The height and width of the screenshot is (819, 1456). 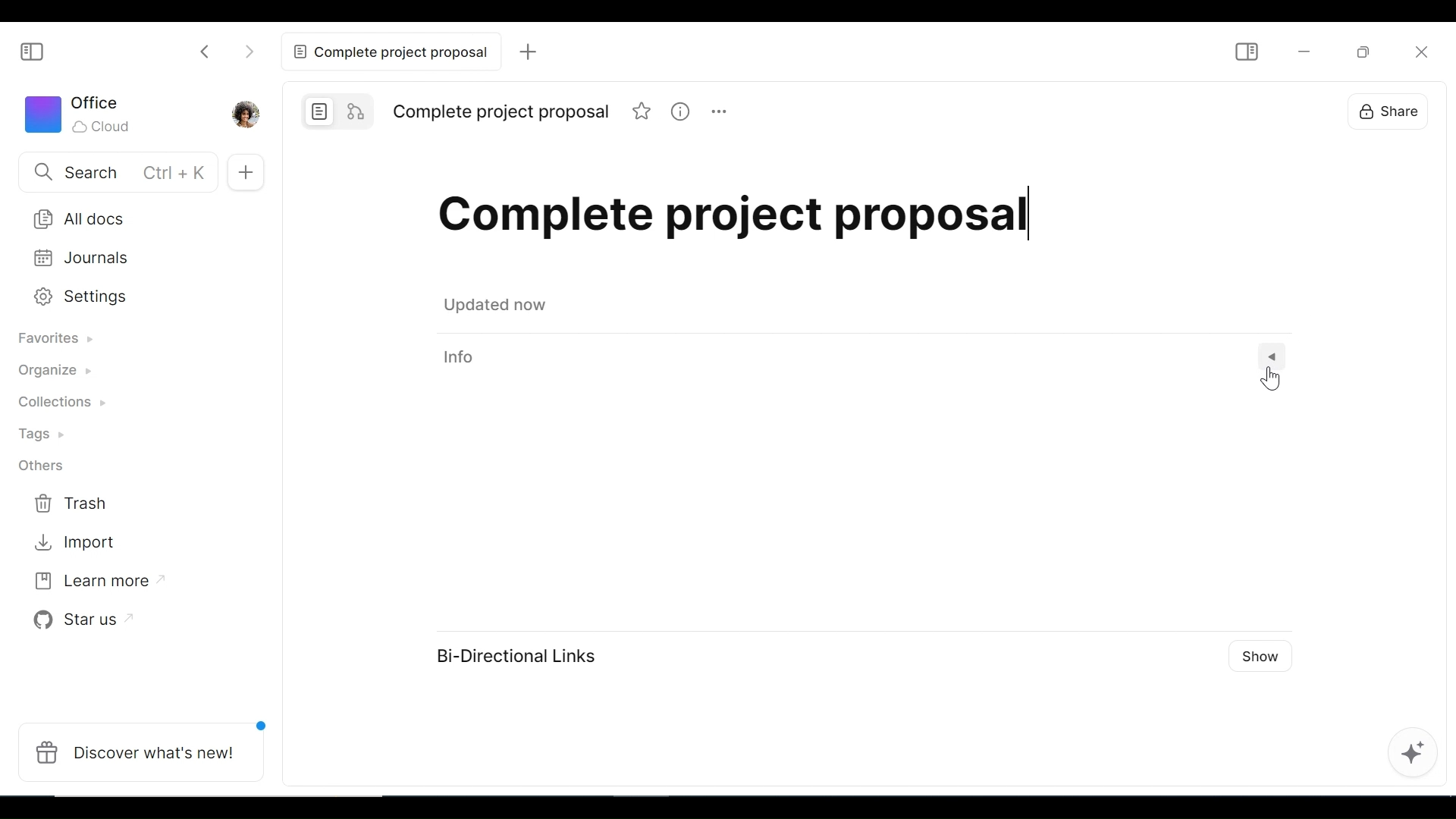 I want to click on Trash, so click(x=72, y=504).